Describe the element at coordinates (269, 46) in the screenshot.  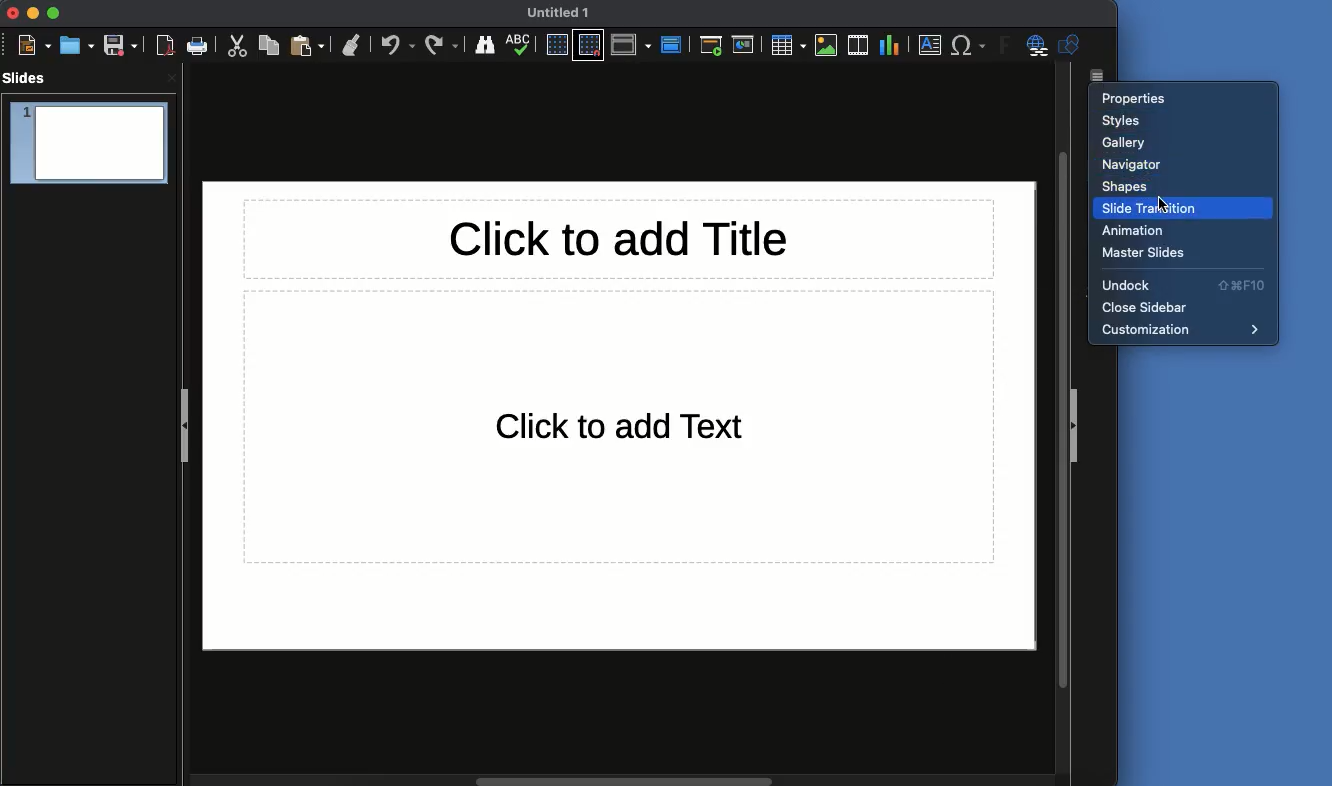
I see `Copy` at that location.